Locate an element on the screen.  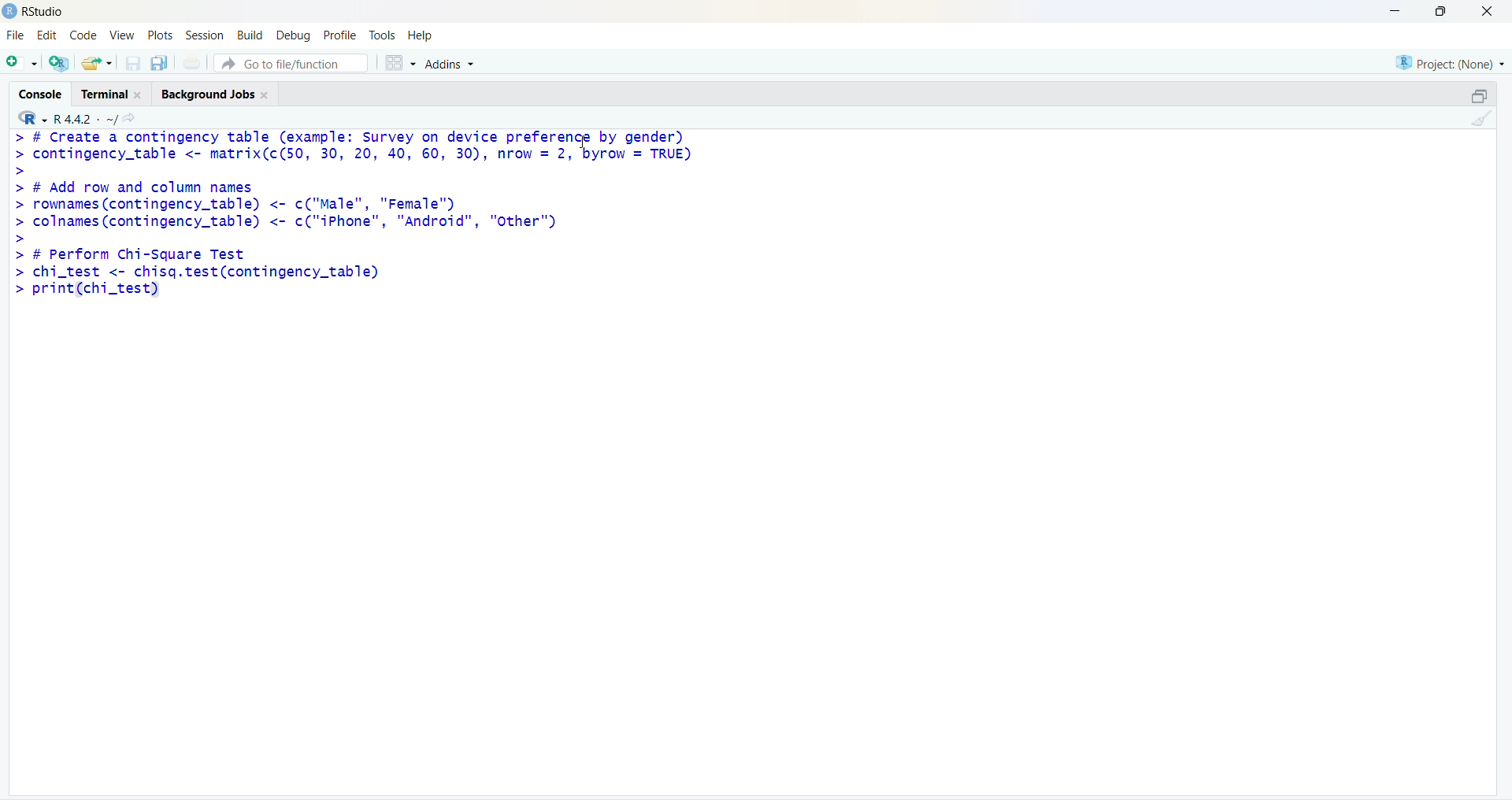
add file as is located at coordinates (23, 63).